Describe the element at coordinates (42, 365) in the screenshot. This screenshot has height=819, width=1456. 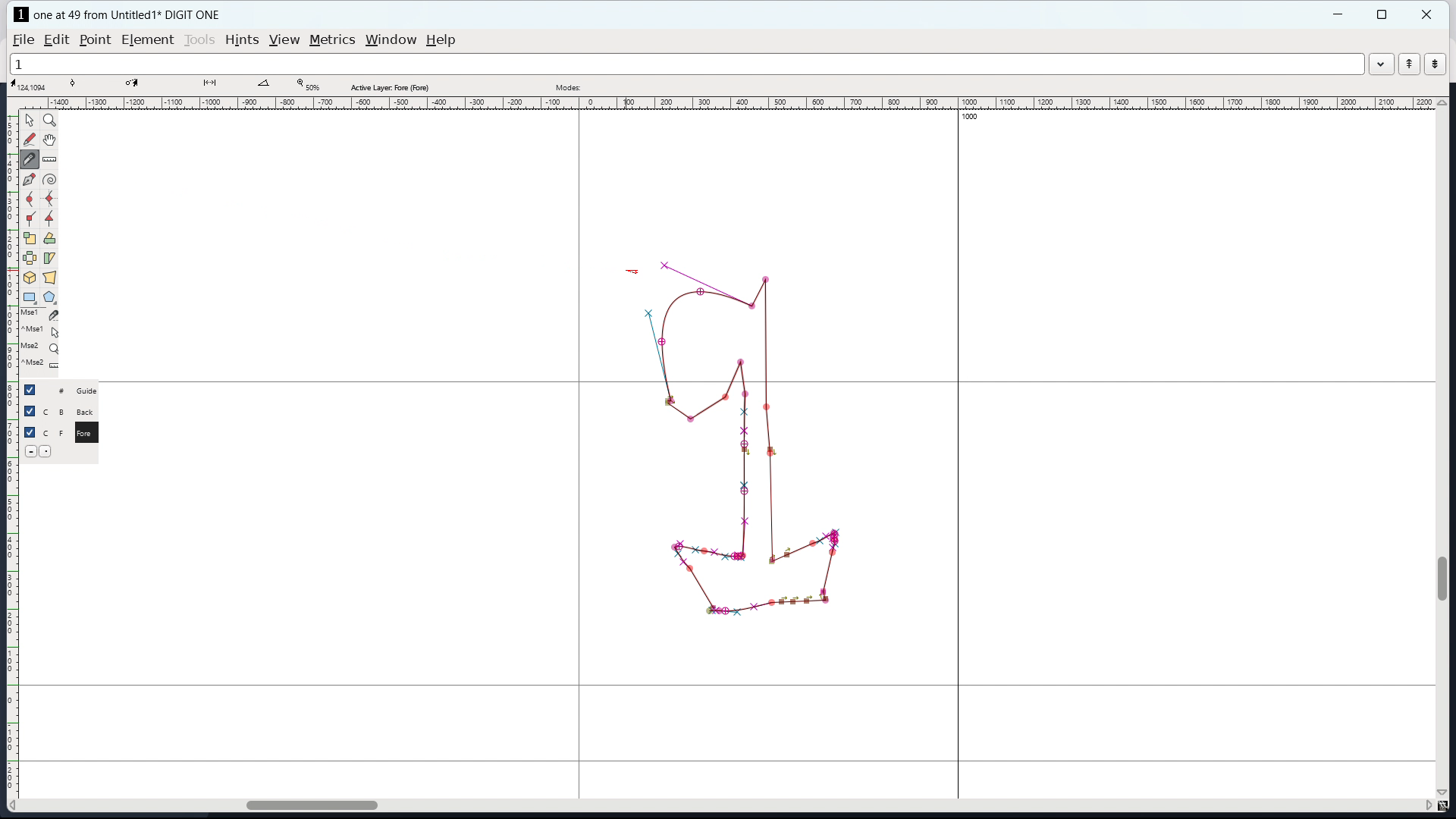
I see `^mse2` at that location.